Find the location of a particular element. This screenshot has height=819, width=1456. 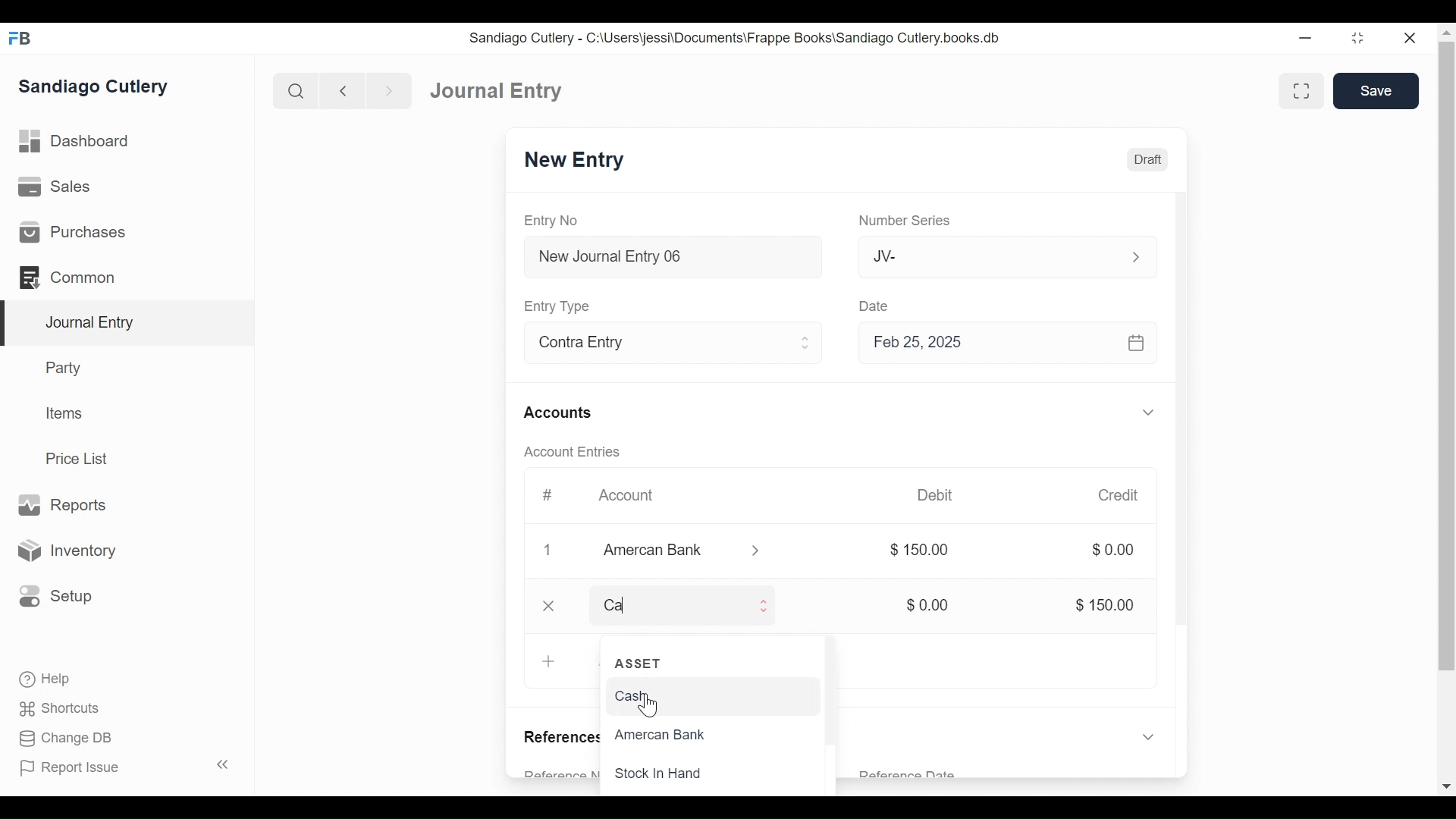

1 is located at coordinates (549, 550).